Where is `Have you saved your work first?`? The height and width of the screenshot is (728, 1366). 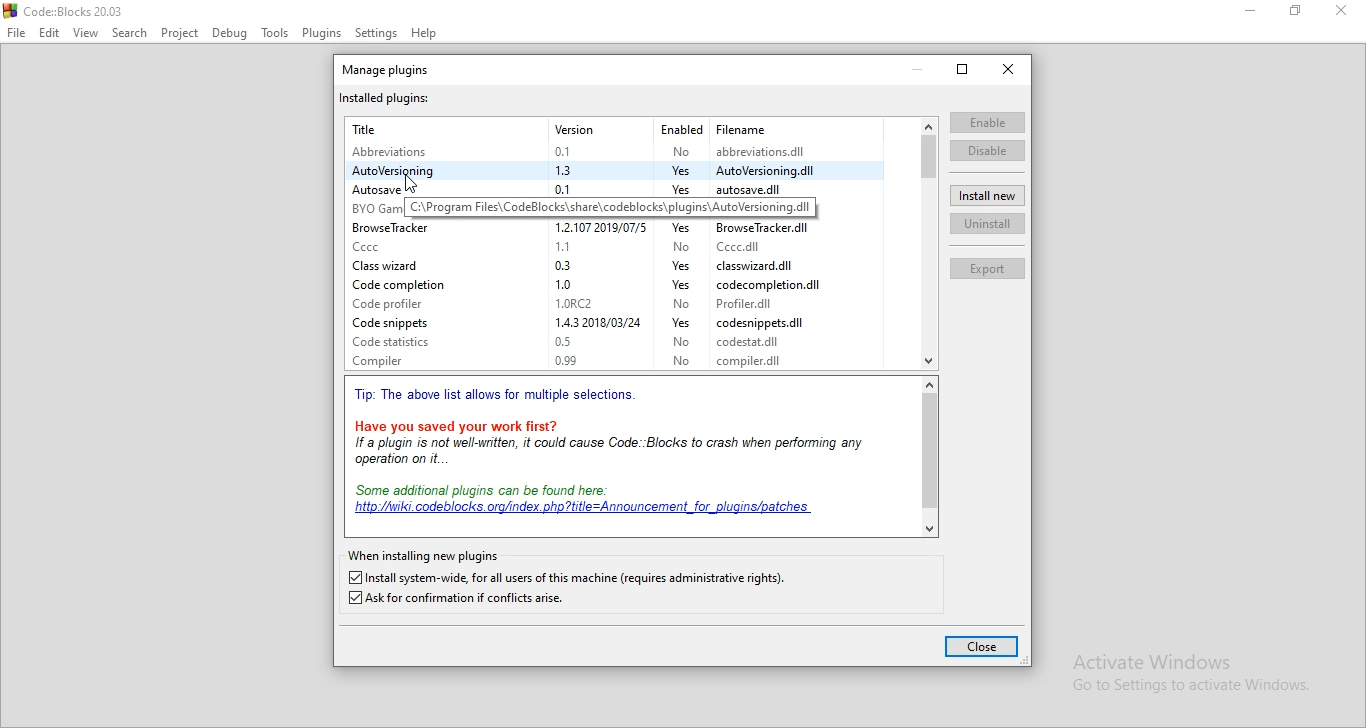
Have you saved your work first? is located at coordinates (462, 425).